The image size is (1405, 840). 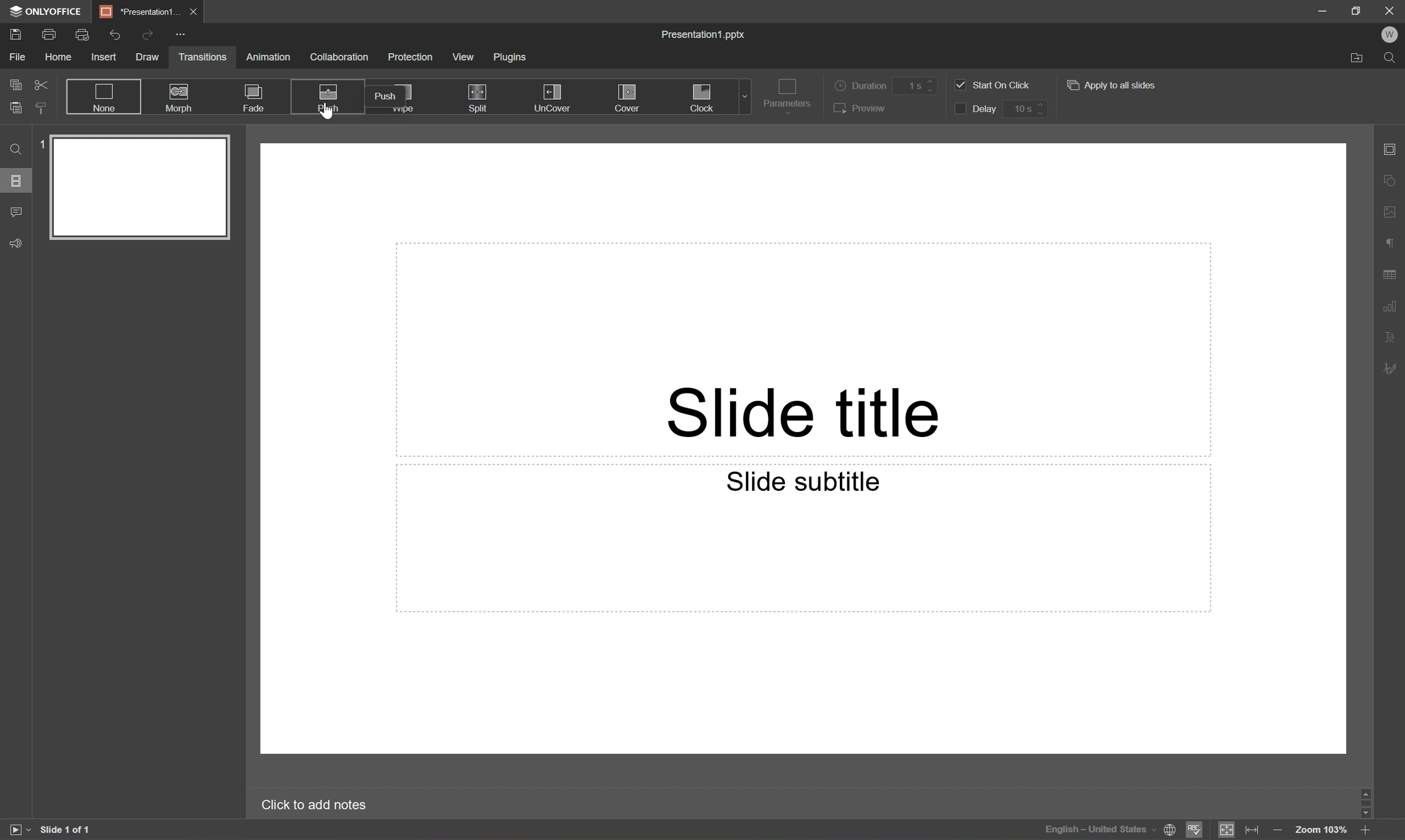 I want to click on Click to add notes, so click(x=313, y=805).